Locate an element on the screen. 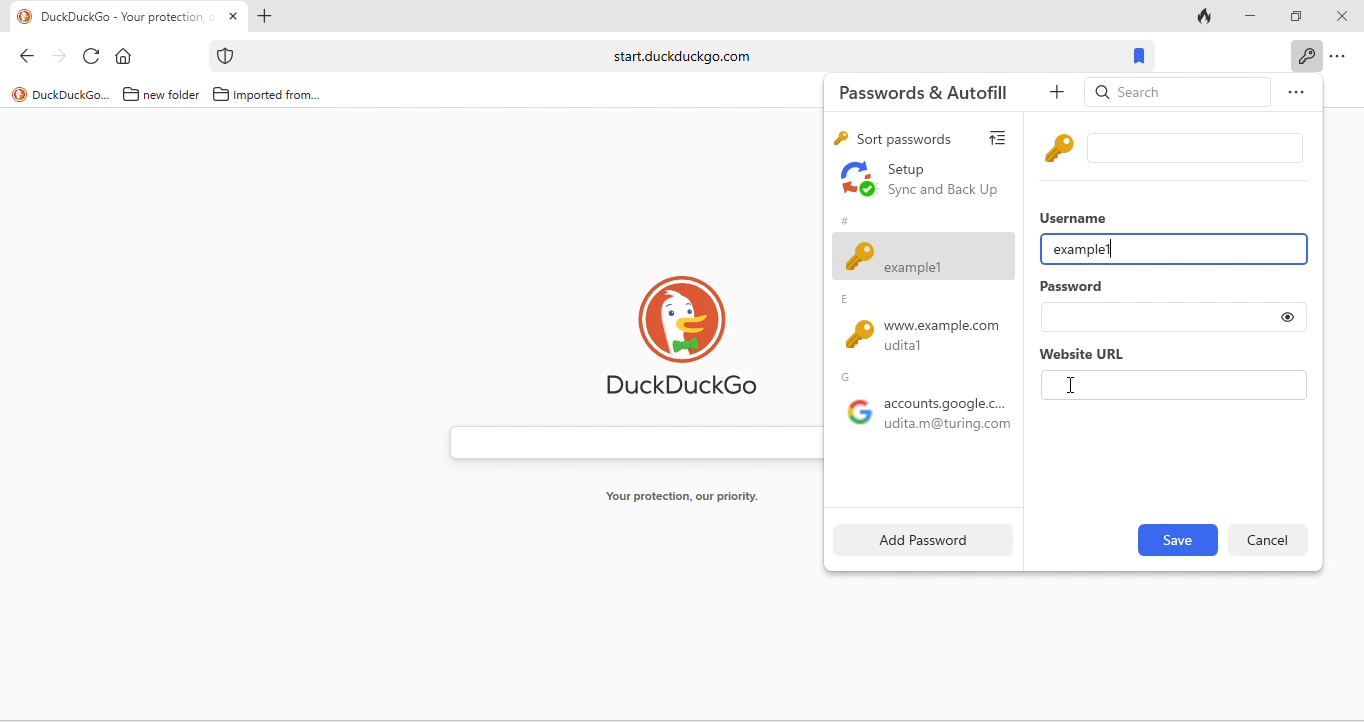 The image size is (1364, 722). password is located at coordinates (1074, 288).